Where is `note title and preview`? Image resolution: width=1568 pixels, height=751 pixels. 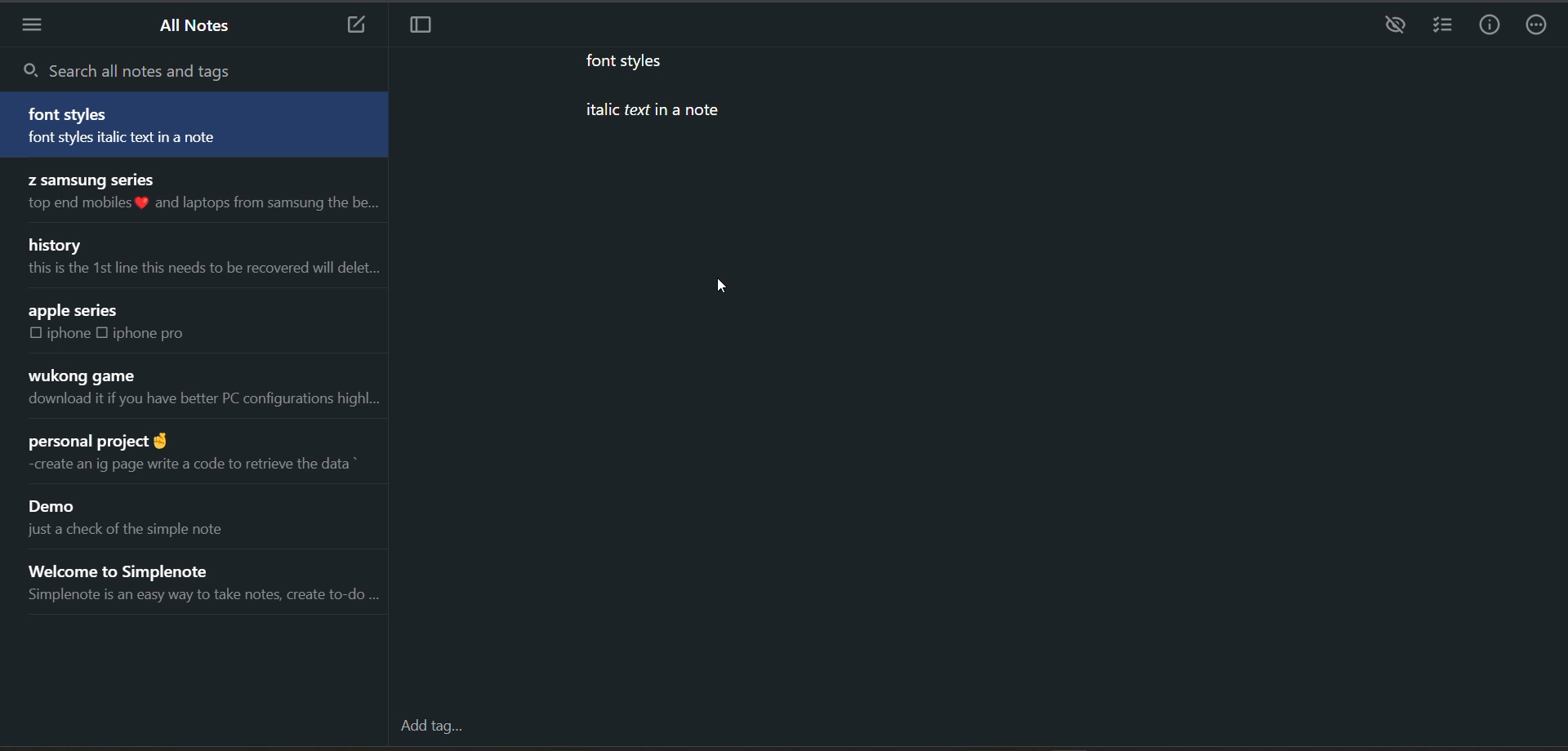
note title and preview is located at coordinates (210, 583).